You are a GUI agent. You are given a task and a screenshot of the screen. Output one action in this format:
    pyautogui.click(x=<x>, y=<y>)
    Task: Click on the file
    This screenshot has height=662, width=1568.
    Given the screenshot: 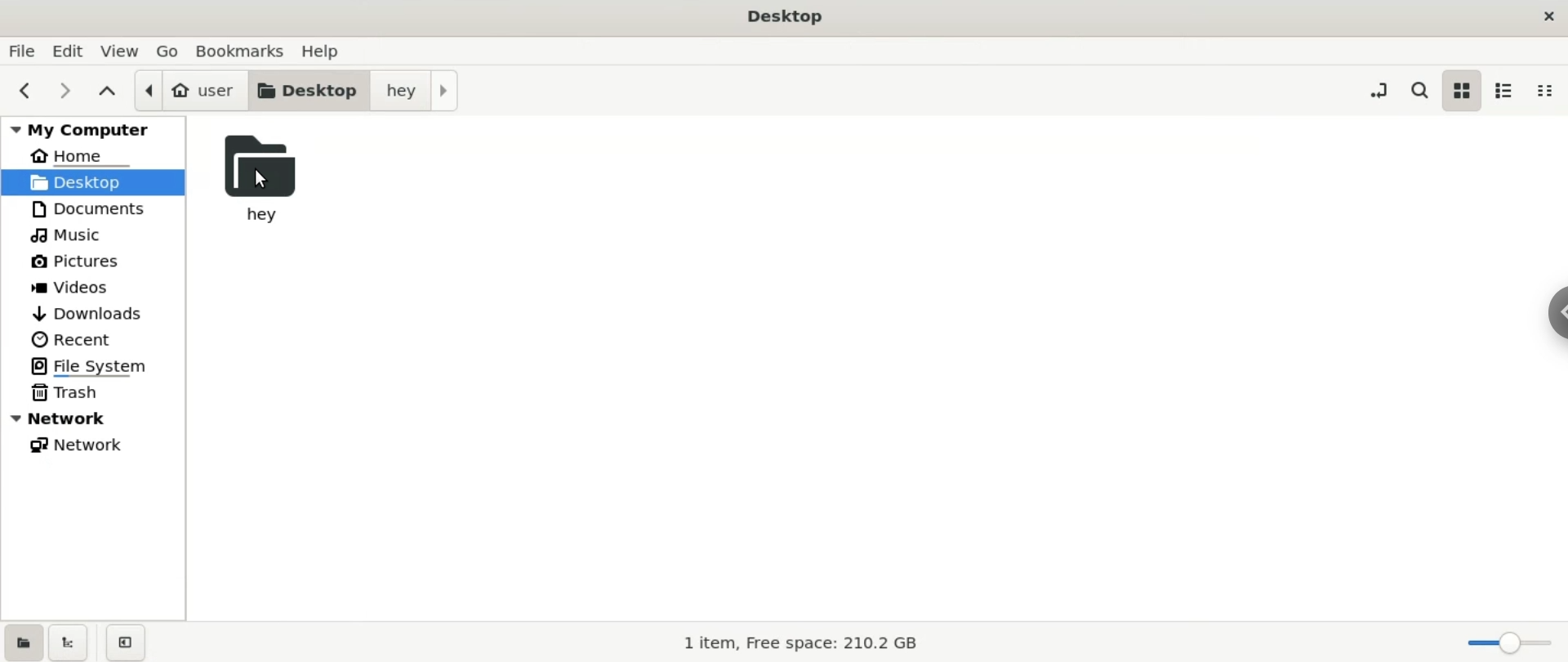 What is the action you would take?
    pyautogui.click(x=21, y=53)
    